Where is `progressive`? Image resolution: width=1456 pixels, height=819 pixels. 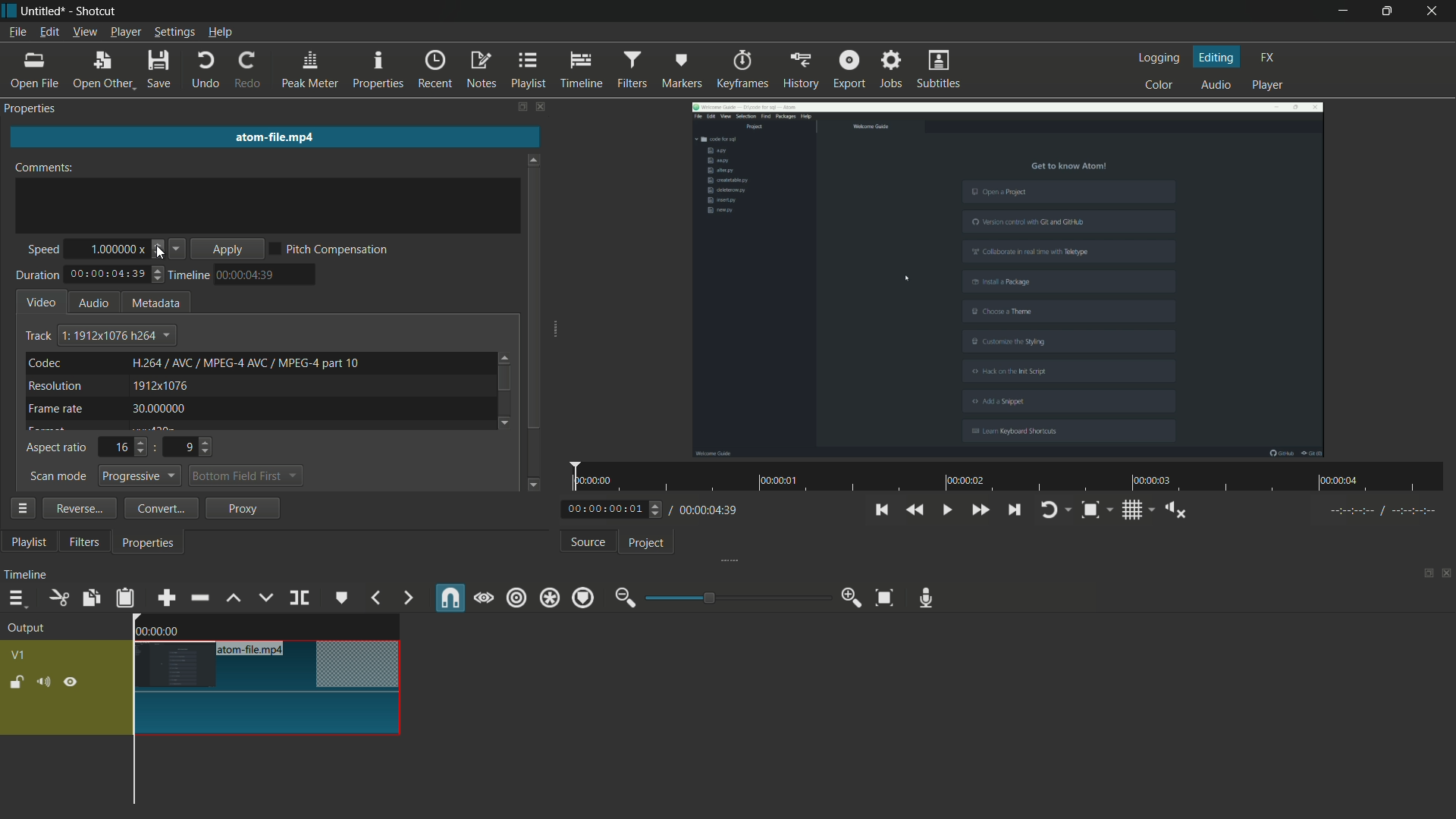 progressive is located at coordinates (142, 476).